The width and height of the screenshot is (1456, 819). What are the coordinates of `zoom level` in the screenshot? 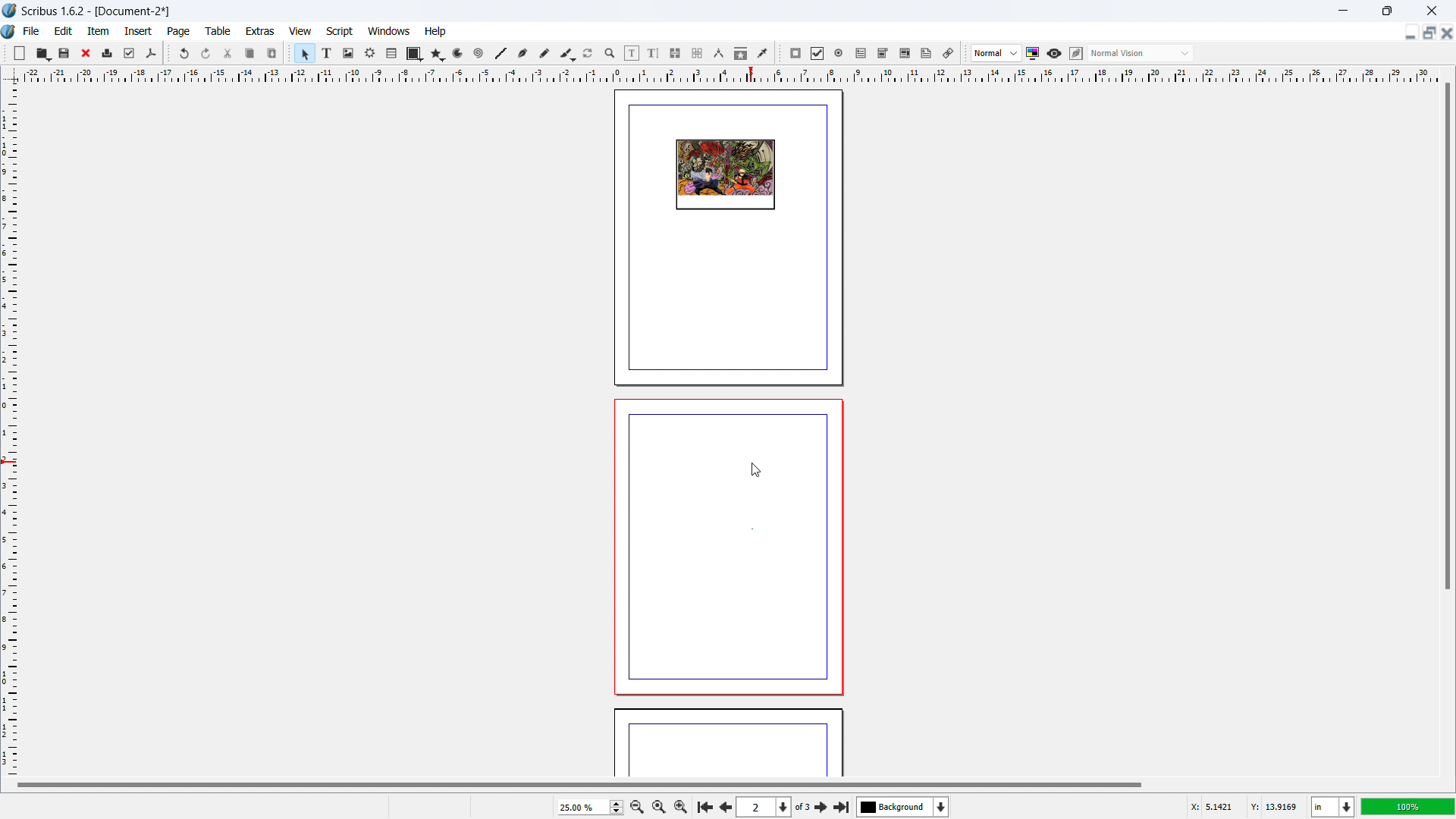 It's located at (590, 807).